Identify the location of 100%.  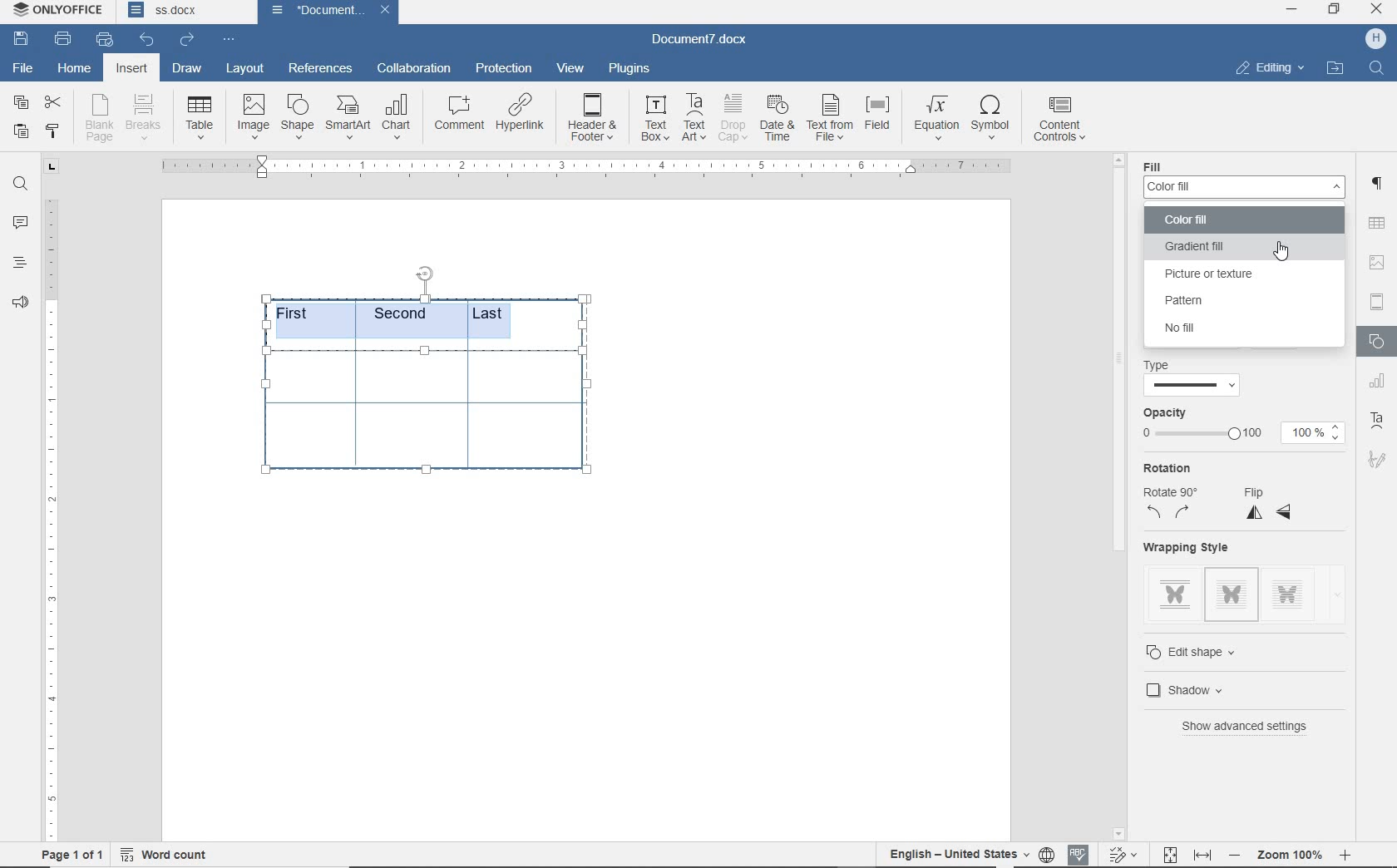
(1313, 434).